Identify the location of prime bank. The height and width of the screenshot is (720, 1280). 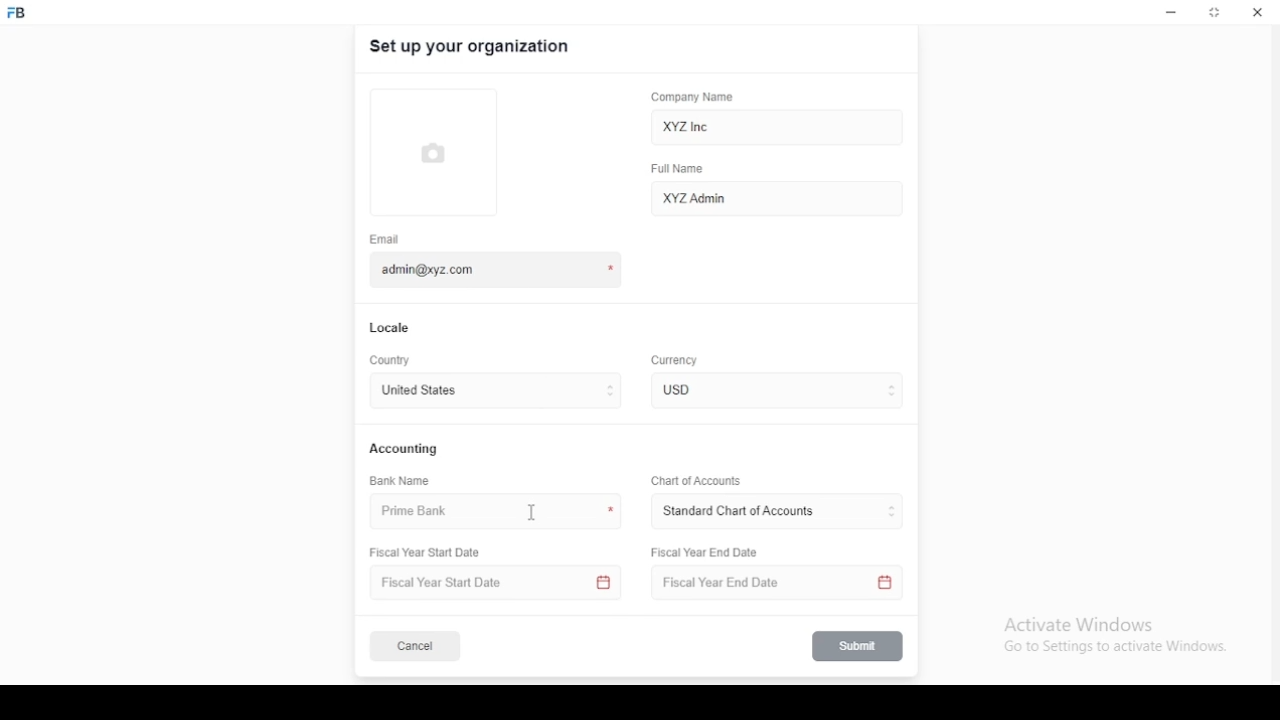
(423, 512).